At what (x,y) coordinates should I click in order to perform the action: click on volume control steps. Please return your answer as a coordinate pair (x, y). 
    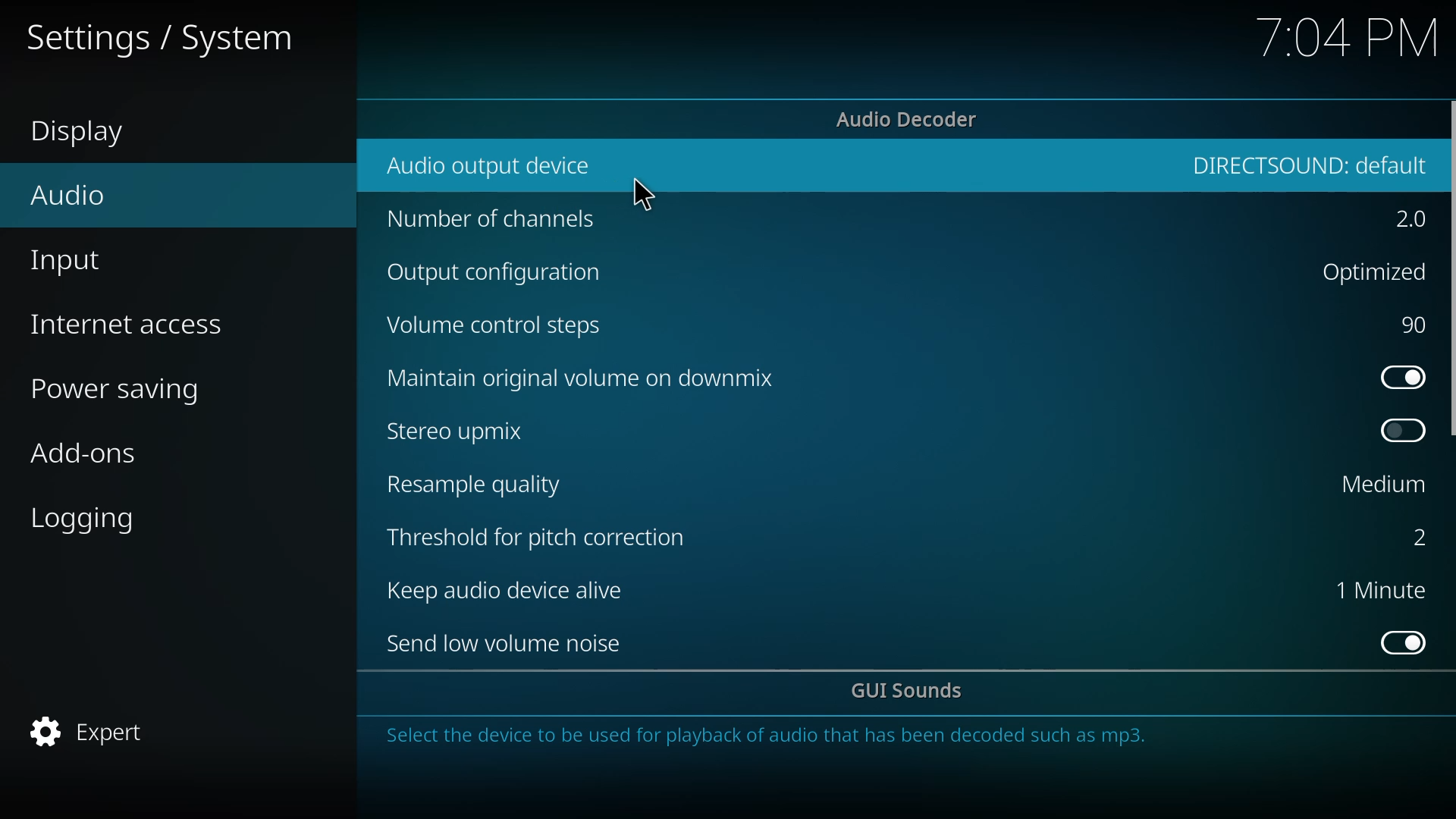
    Looking at the image, I should click on (497, 326).